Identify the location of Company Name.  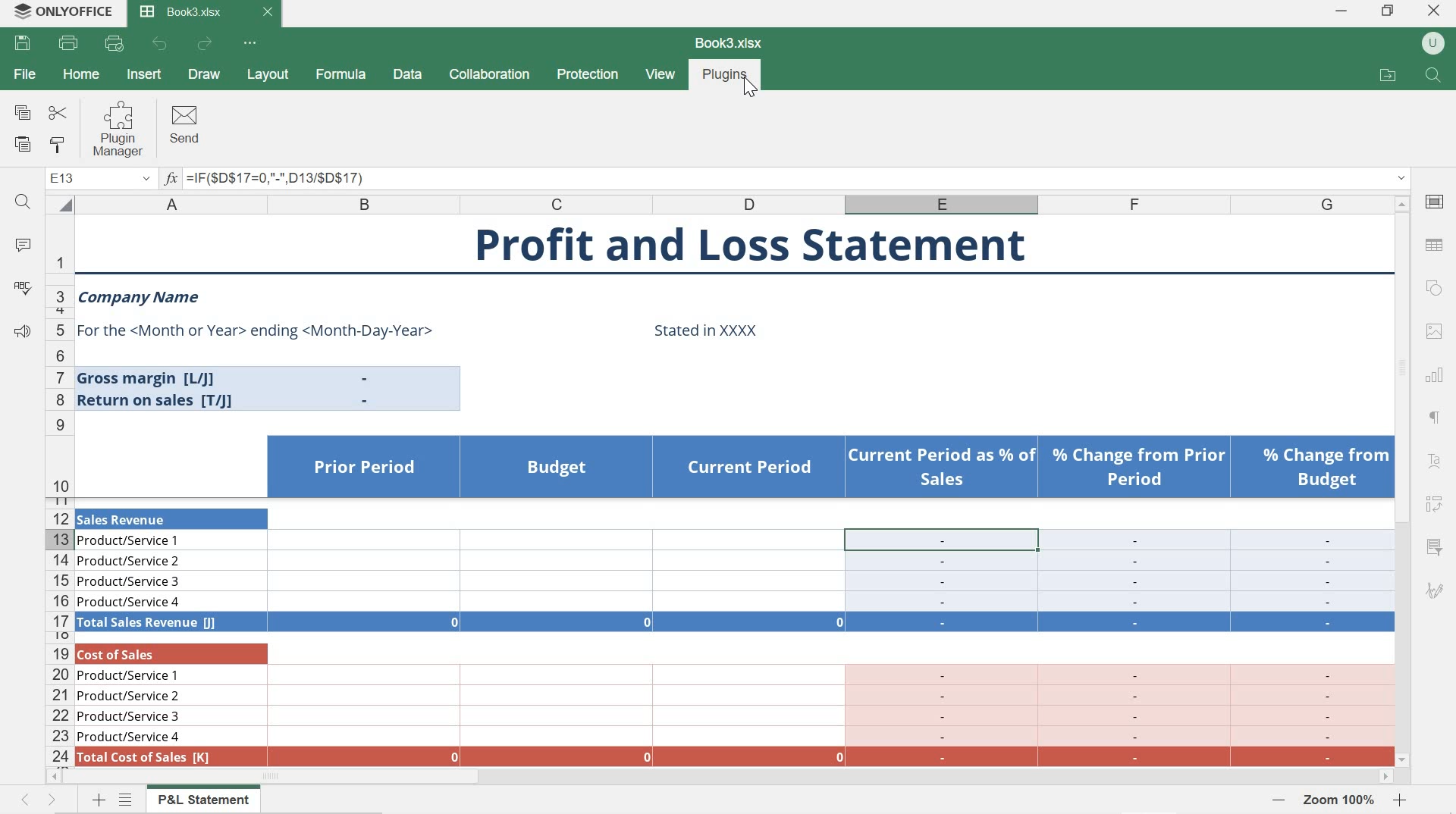
(141, 299).